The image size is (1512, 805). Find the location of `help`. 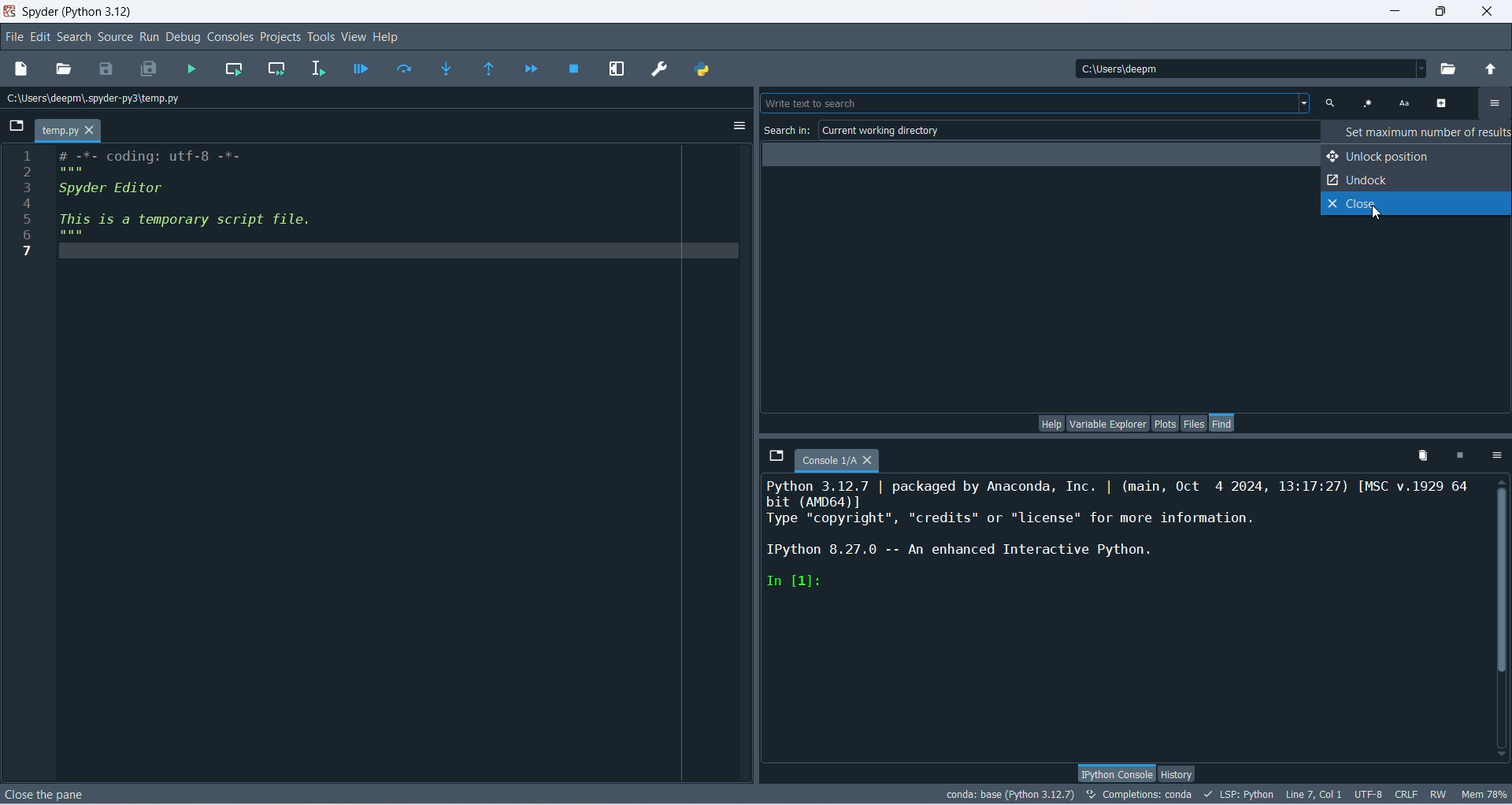

help is located at coordinates (1049, 423).